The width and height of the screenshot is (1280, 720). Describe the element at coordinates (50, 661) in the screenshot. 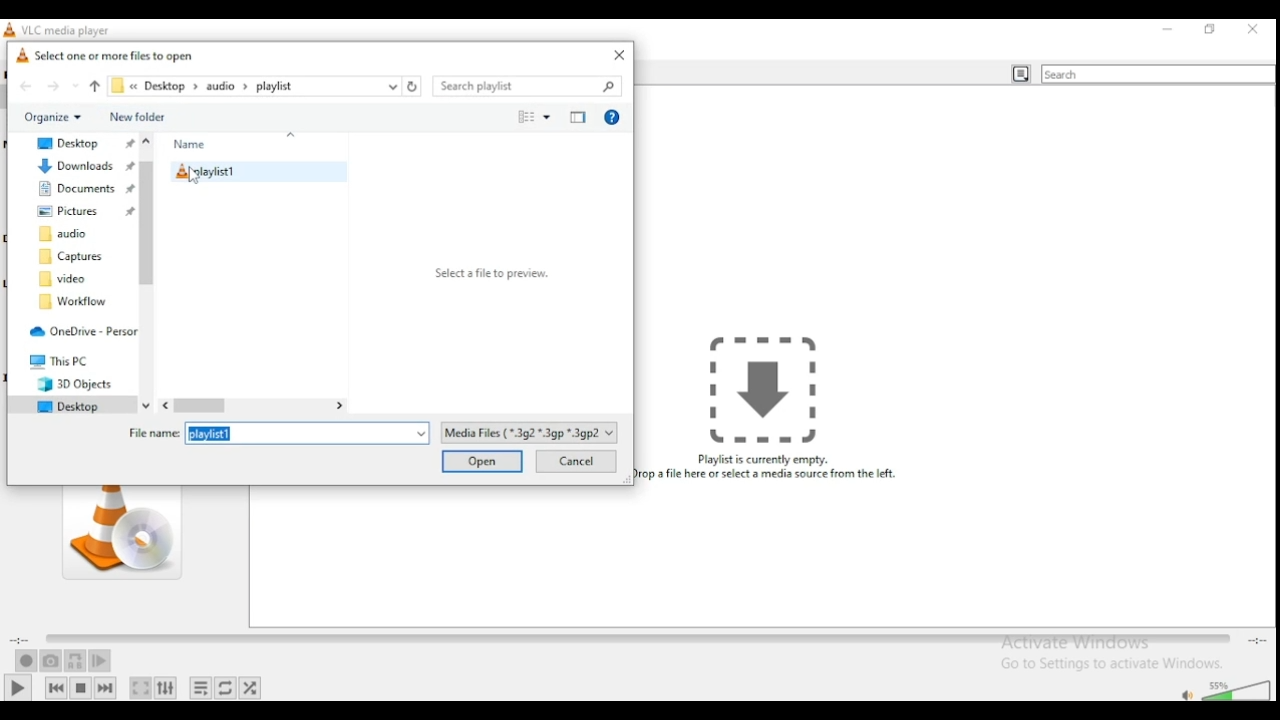

I see `take a snapshot` at that location.